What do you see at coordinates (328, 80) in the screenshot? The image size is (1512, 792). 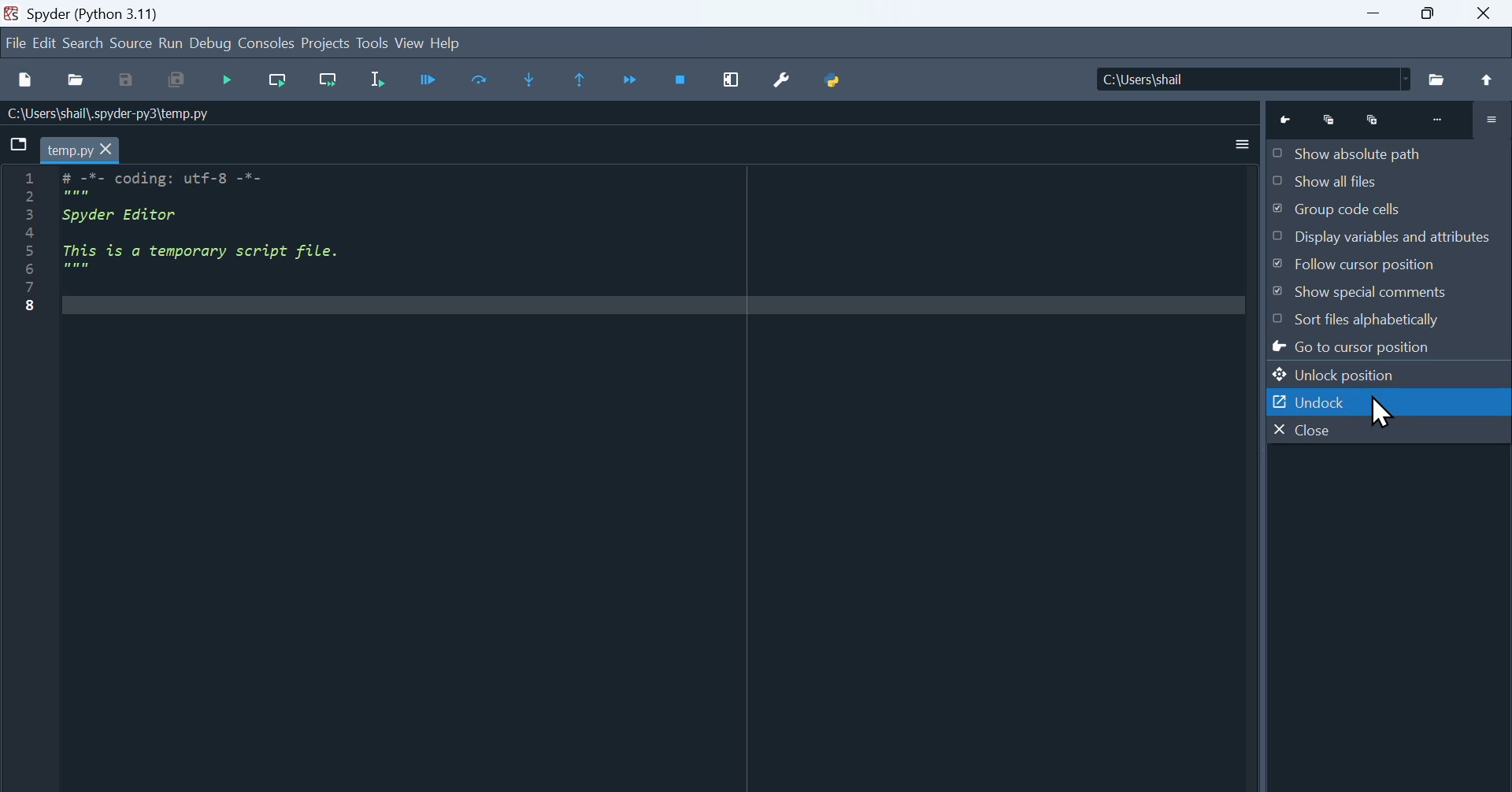 I see `Run cell till next function` at bounding box center [328, 80].